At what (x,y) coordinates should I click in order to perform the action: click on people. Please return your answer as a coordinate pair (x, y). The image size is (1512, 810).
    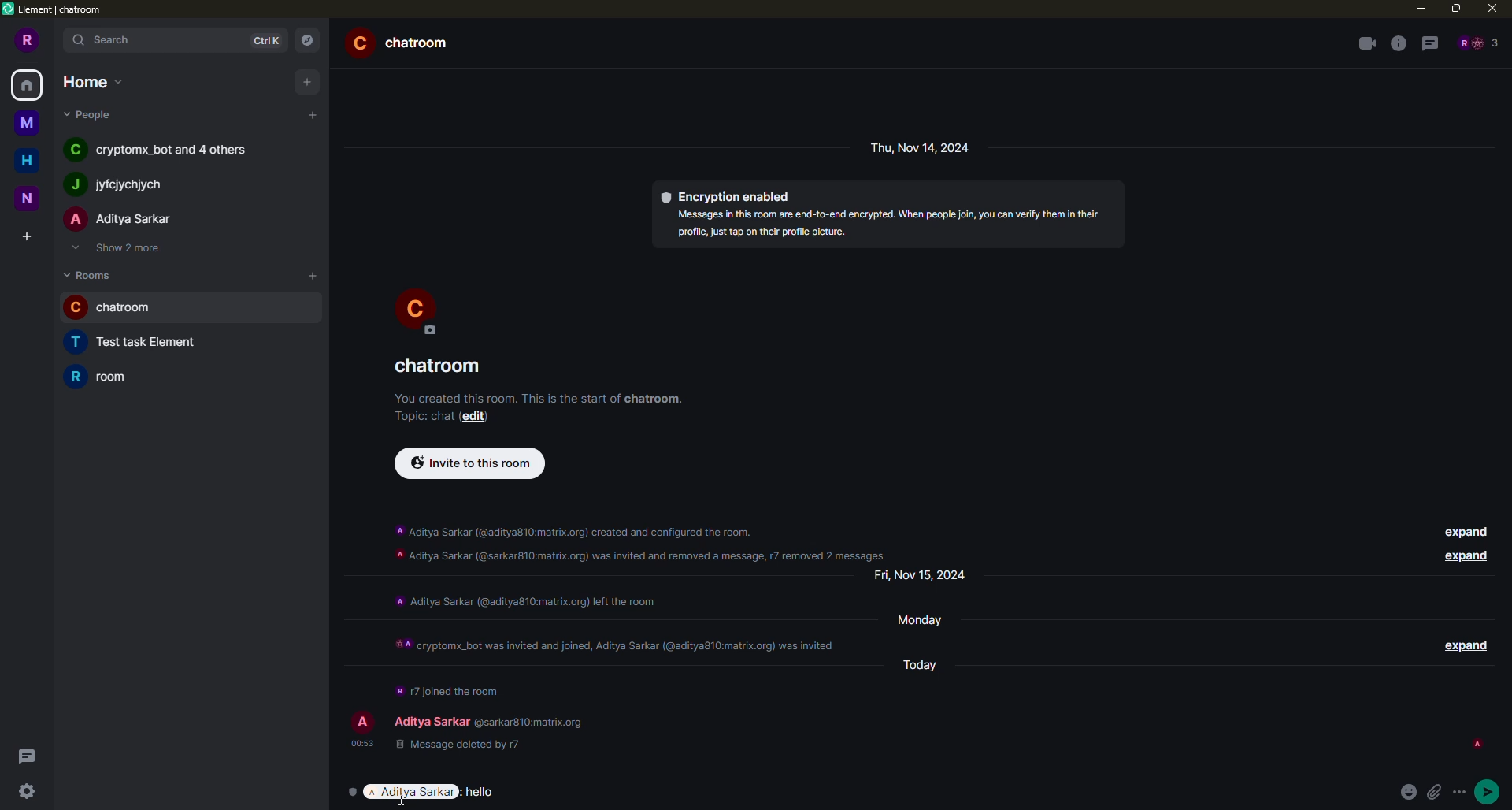
    Looking at the image, I should click on (1477, 43).